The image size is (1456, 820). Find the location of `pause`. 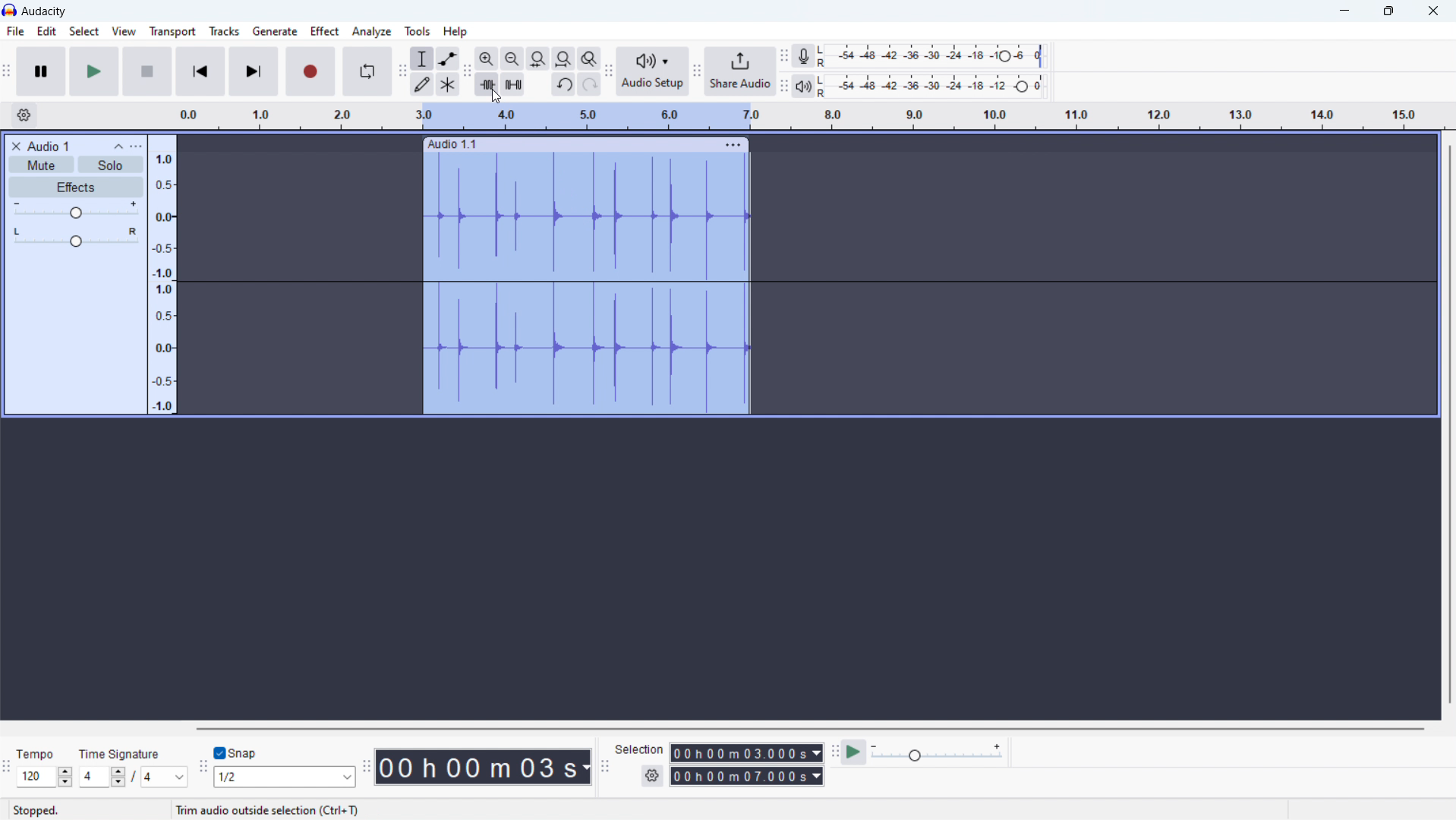

pause is located at coordinates (41, 72).